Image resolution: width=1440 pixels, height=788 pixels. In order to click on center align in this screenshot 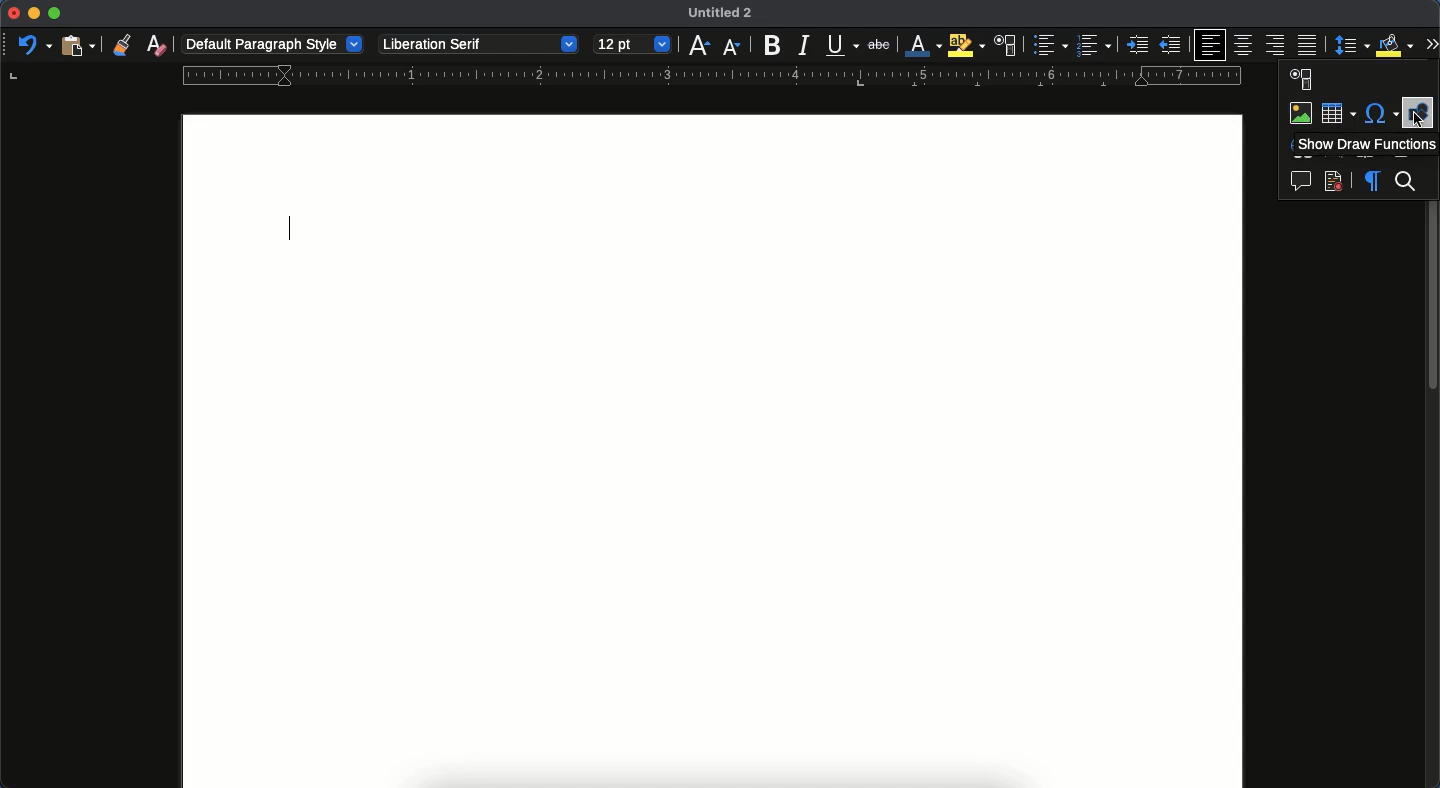, I will do `click(1246, 45)`.